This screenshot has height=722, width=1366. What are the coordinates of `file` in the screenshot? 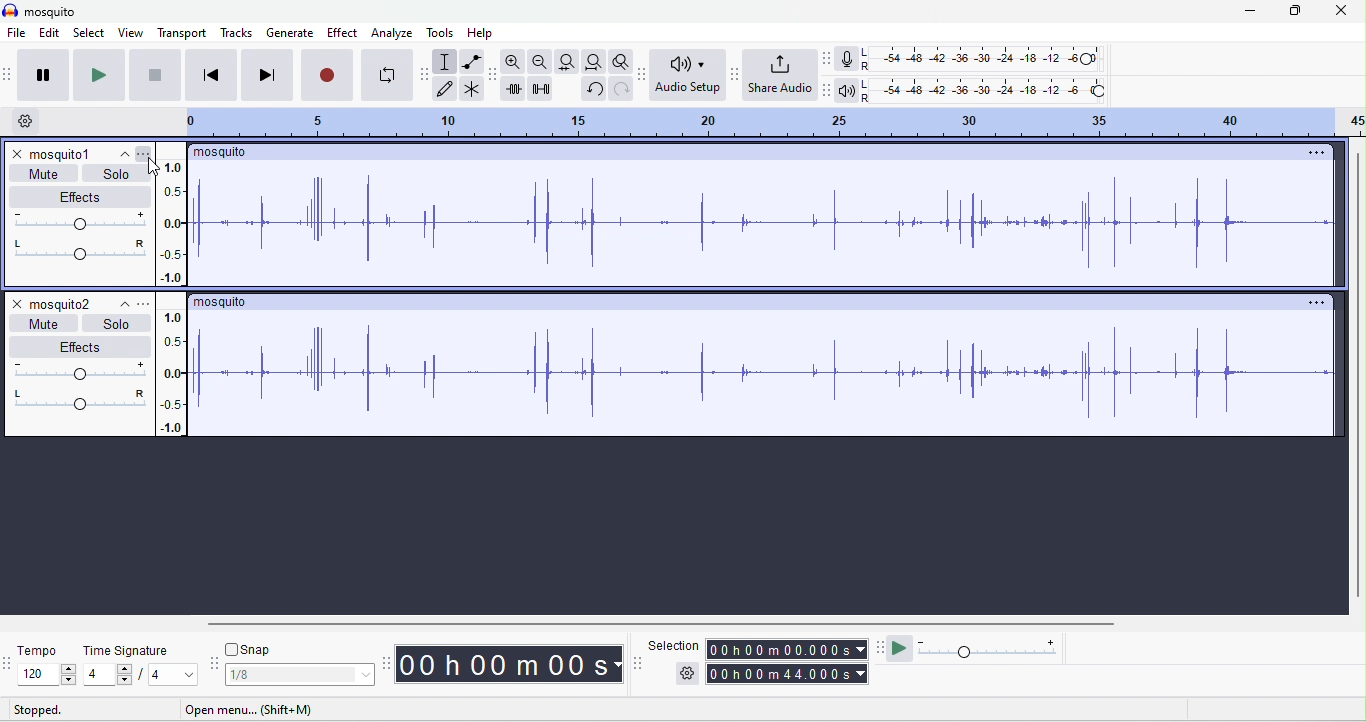 It's located at (16, 34).